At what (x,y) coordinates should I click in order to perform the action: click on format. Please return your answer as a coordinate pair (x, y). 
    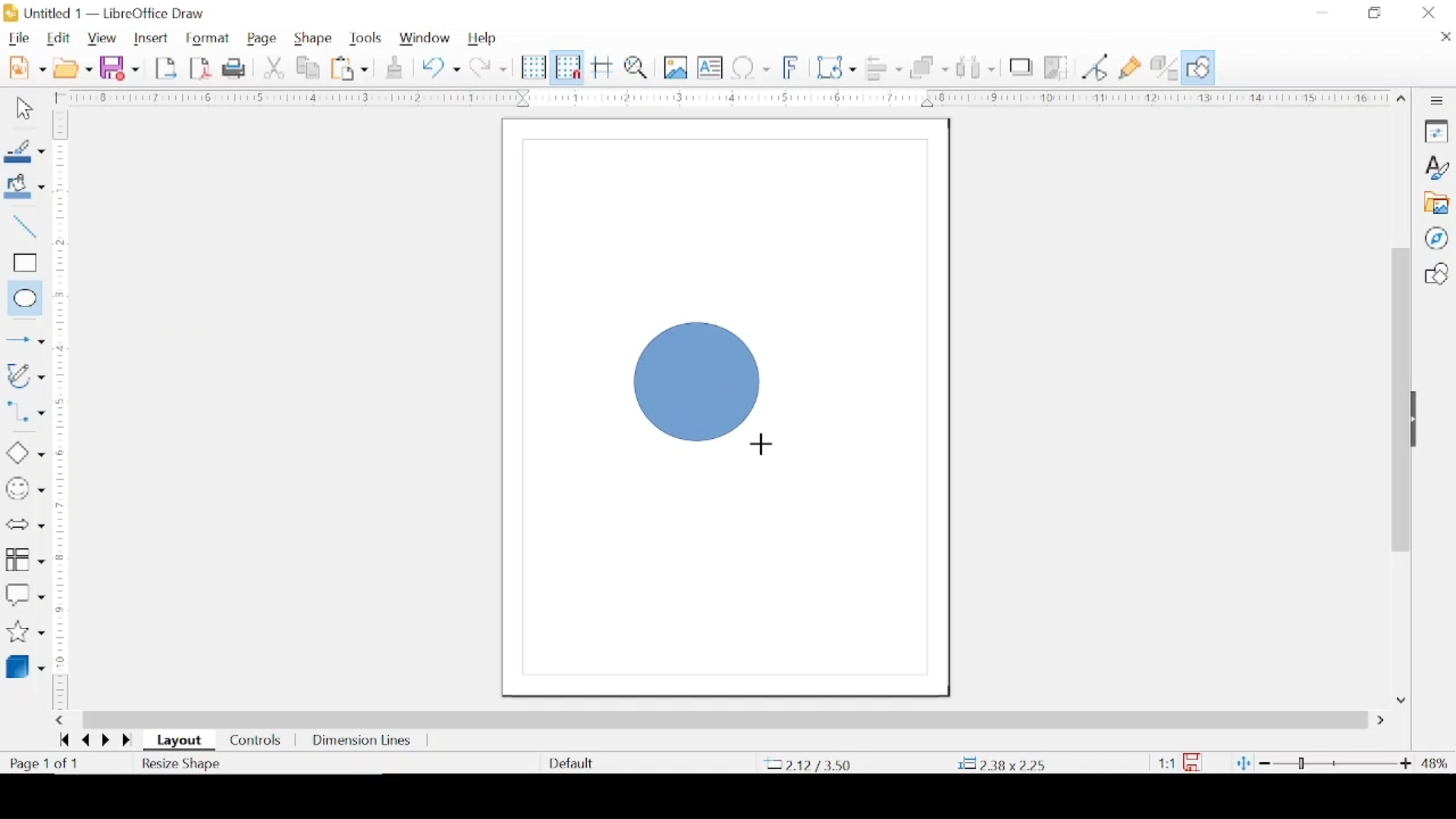
    Looking at the image, I should click on (210, 37).